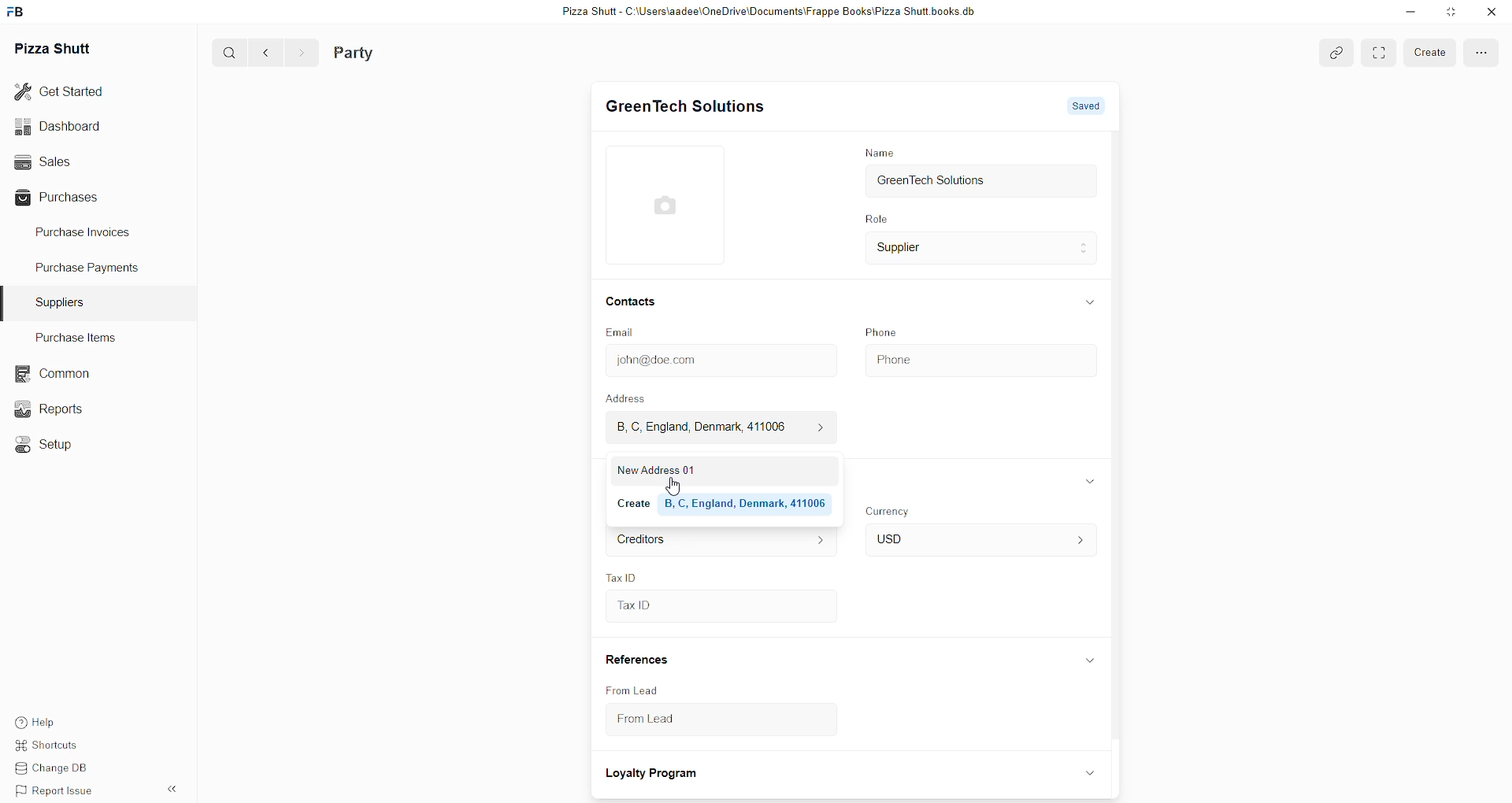  I want to click on Saved, so click(1085, 104).